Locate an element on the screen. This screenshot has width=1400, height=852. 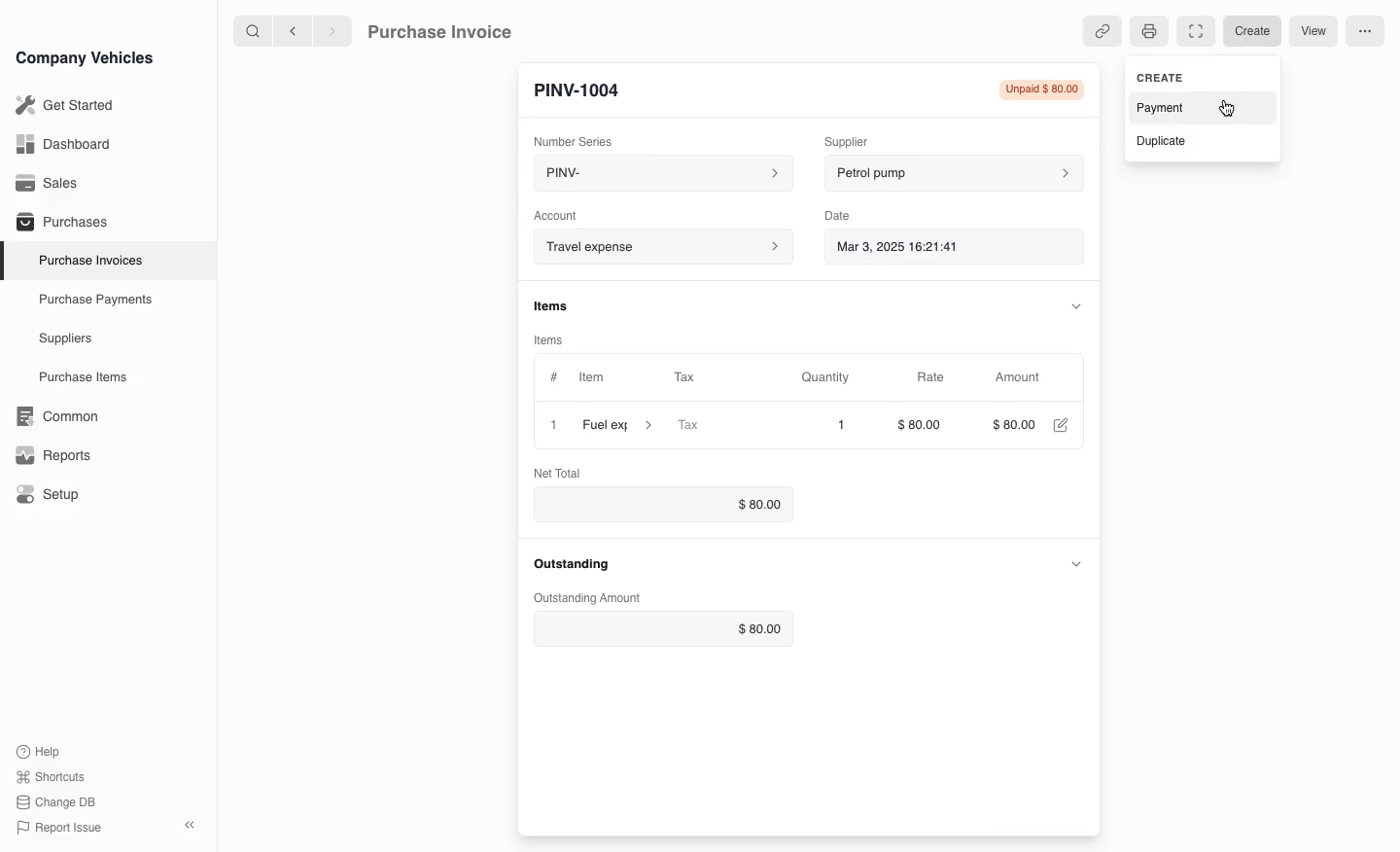
view is located at coordinates (1313, 32).